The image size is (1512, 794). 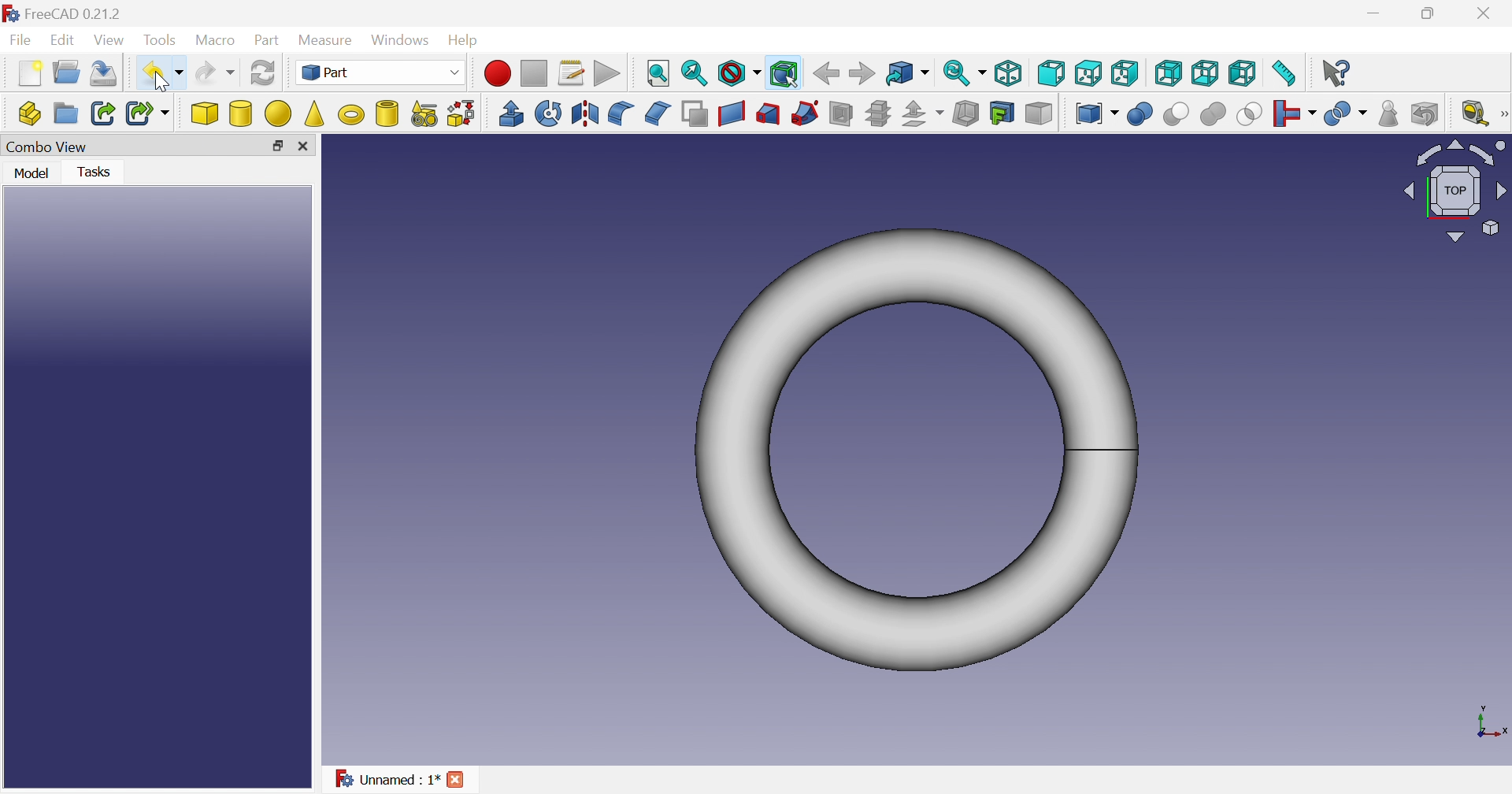 I want to click on Color per face, so click(x=1038, y=113).